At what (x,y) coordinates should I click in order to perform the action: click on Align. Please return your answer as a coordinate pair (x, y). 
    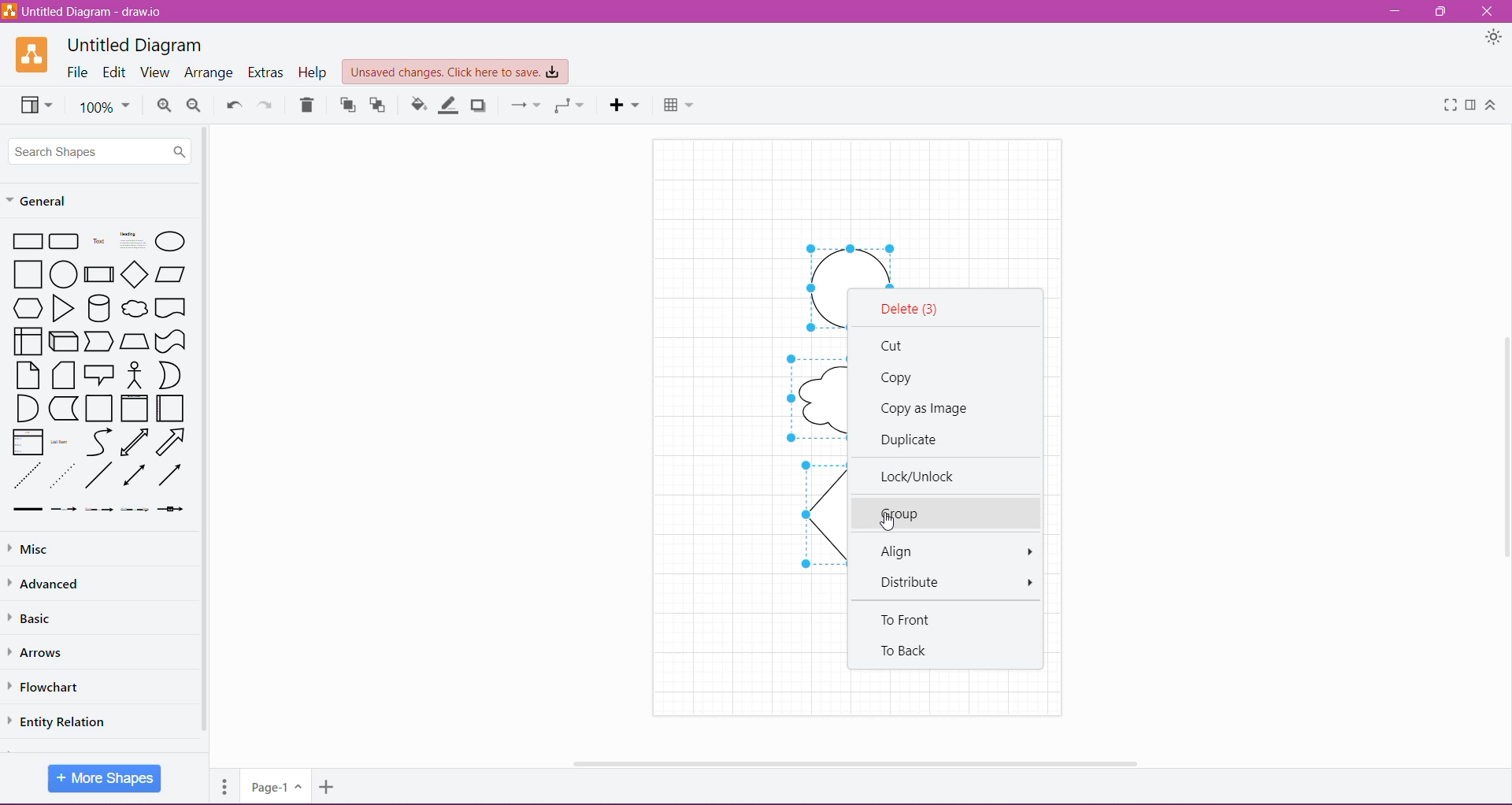
    Looking at the image, I should click on (958, 553).